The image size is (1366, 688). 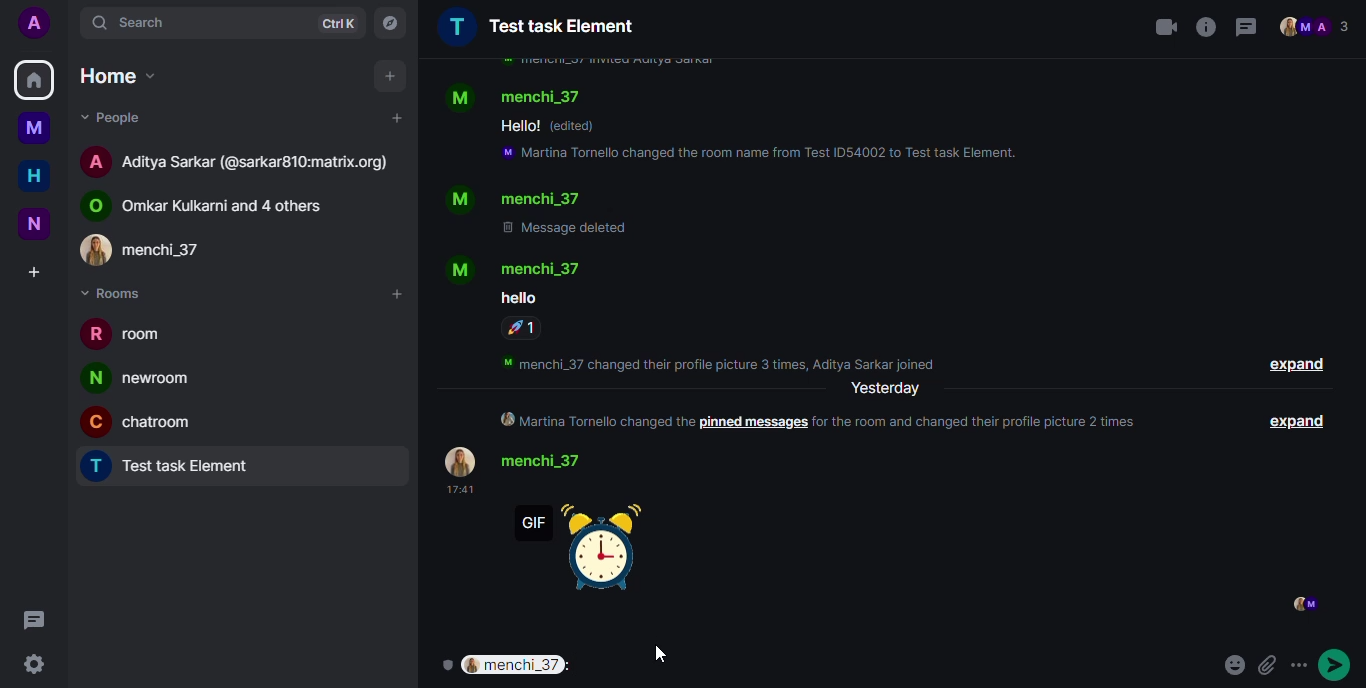 What do you see at coordinates (606, 62) in the screenshot?
I see `info` at bounding box center [606, 62].